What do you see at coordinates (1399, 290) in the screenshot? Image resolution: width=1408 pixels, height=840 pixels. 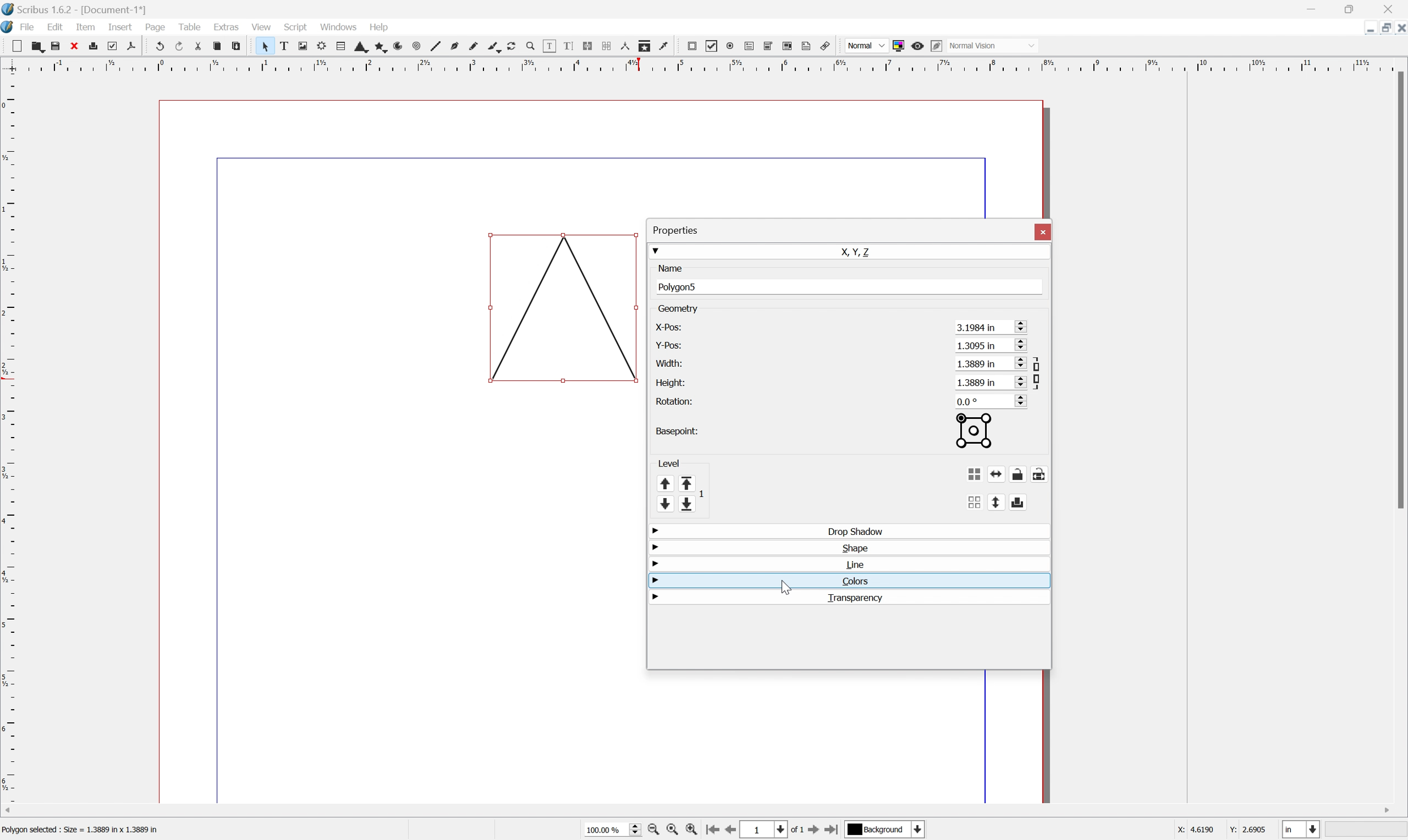 I see `Scroll Bar` at bounding box center [1399, 290].